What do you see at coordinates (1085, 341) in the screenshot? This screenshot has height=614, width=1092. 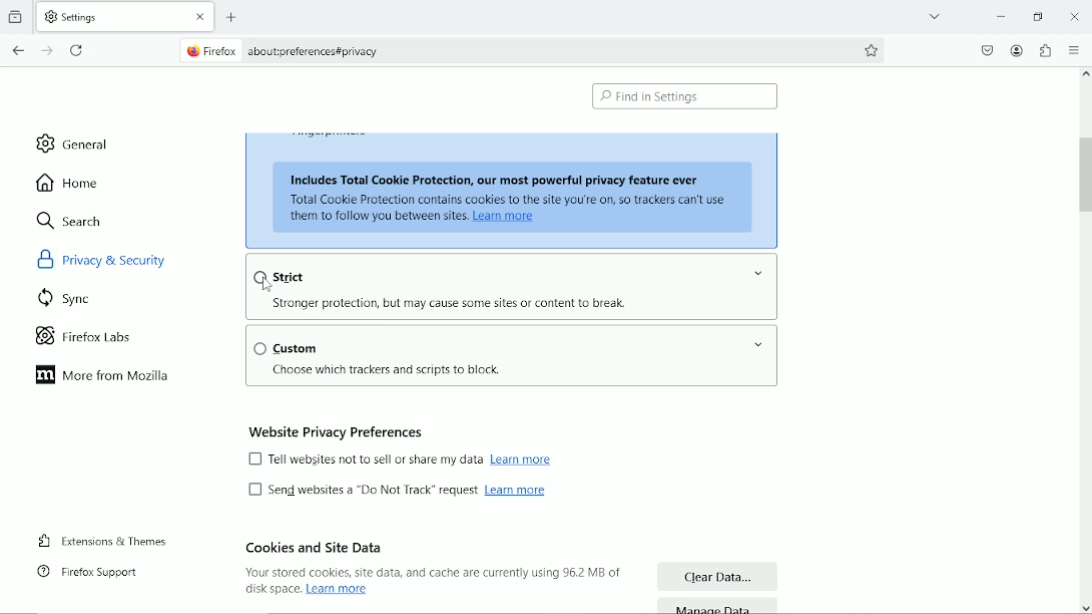 I see `vertical scrollbar` at bounding box center [1085, 341].